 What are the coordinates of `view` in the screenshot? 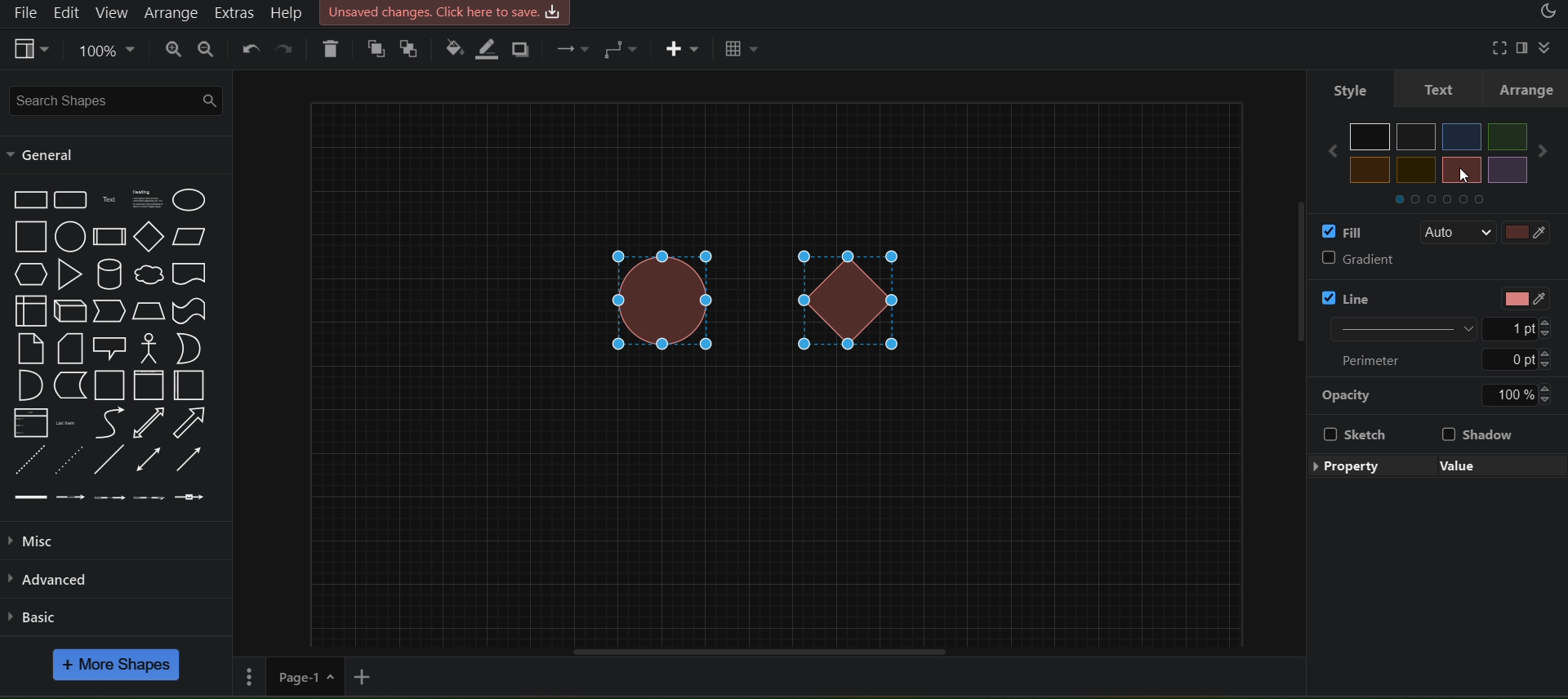 It's located at (31, 50).